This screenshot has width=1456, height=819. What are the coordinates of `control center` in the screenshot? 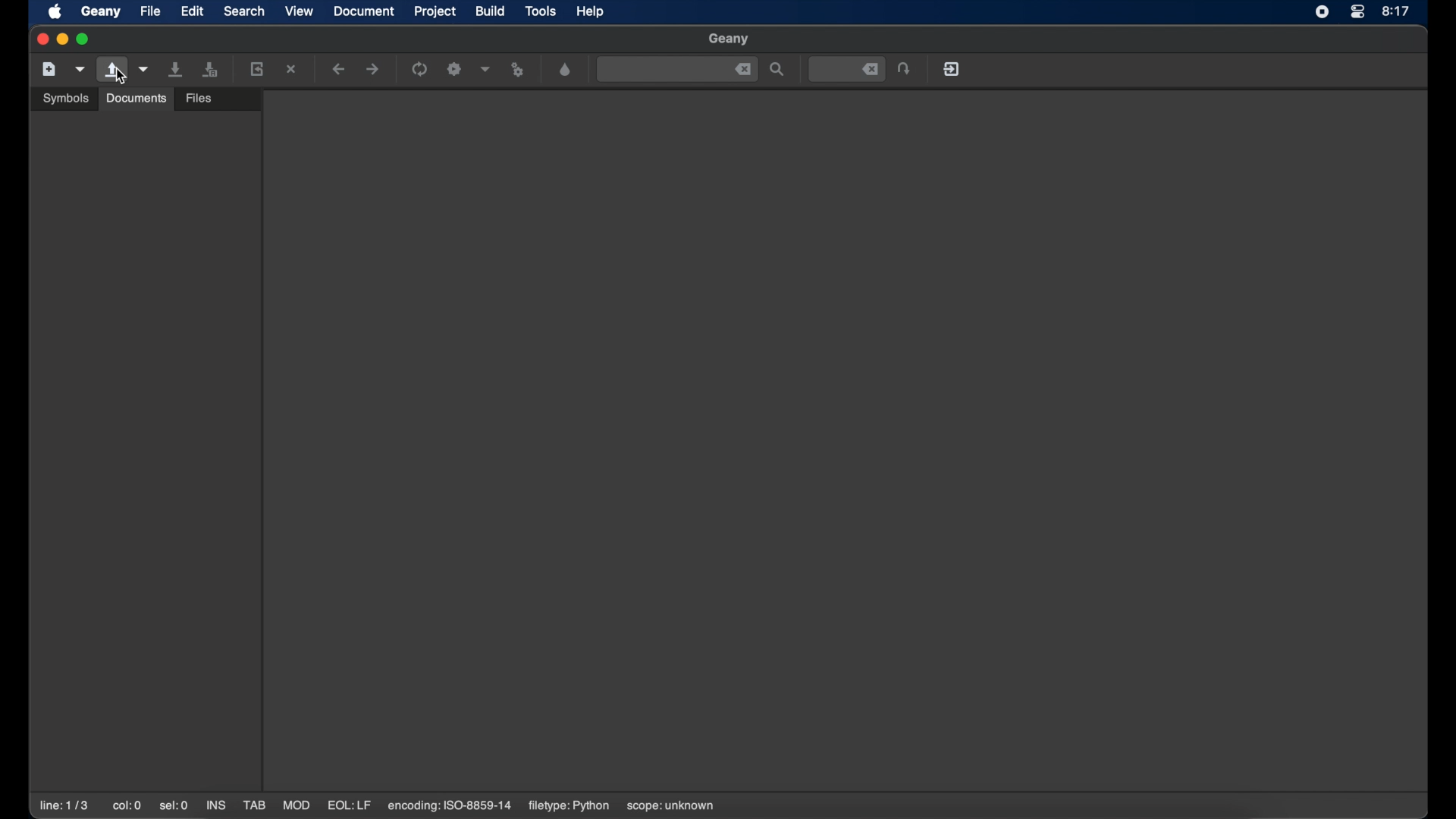 It's located at (1357, 12).